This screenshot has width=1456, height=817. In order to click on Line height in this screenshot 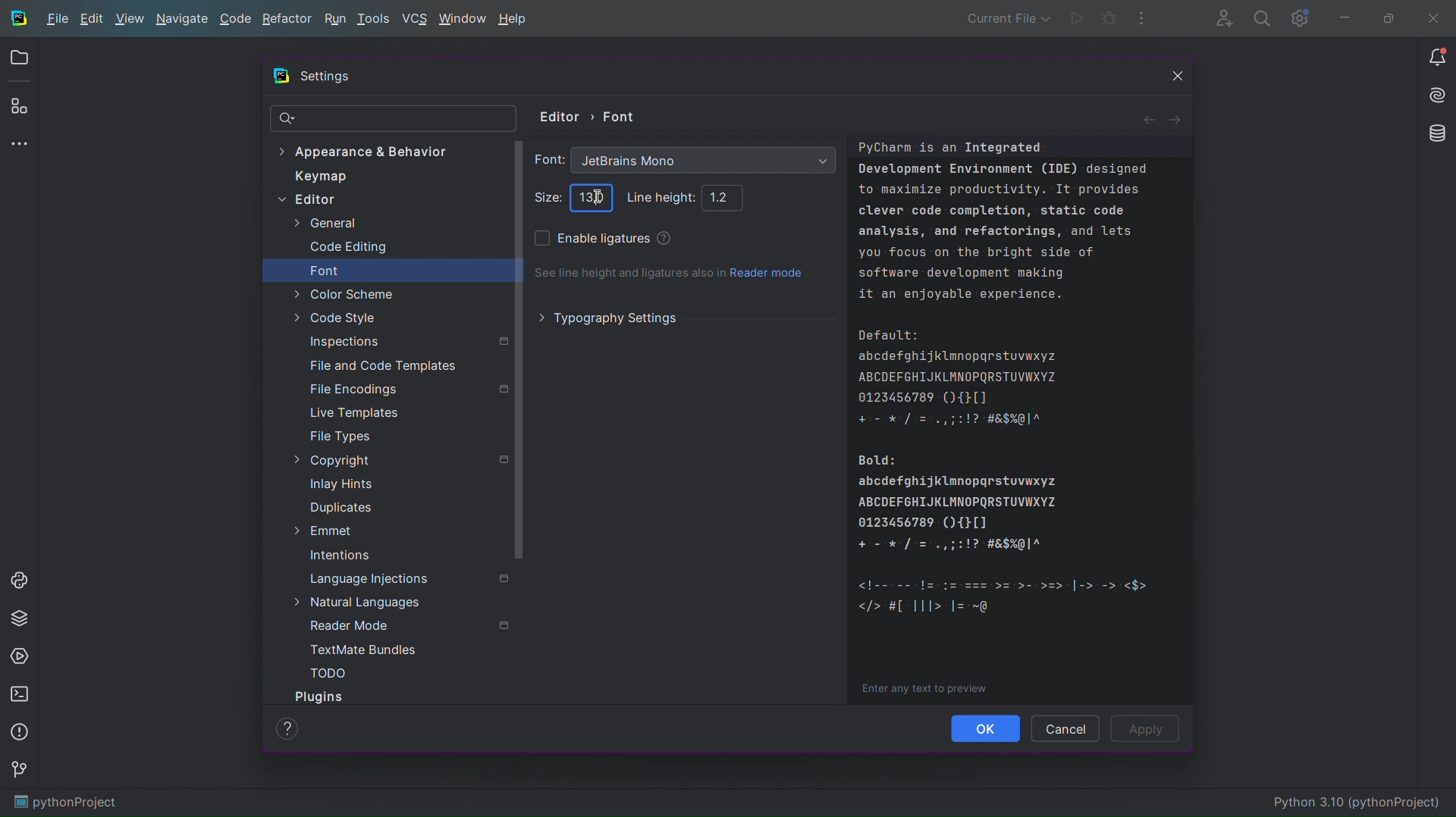, I will do `click(657, 196)`.